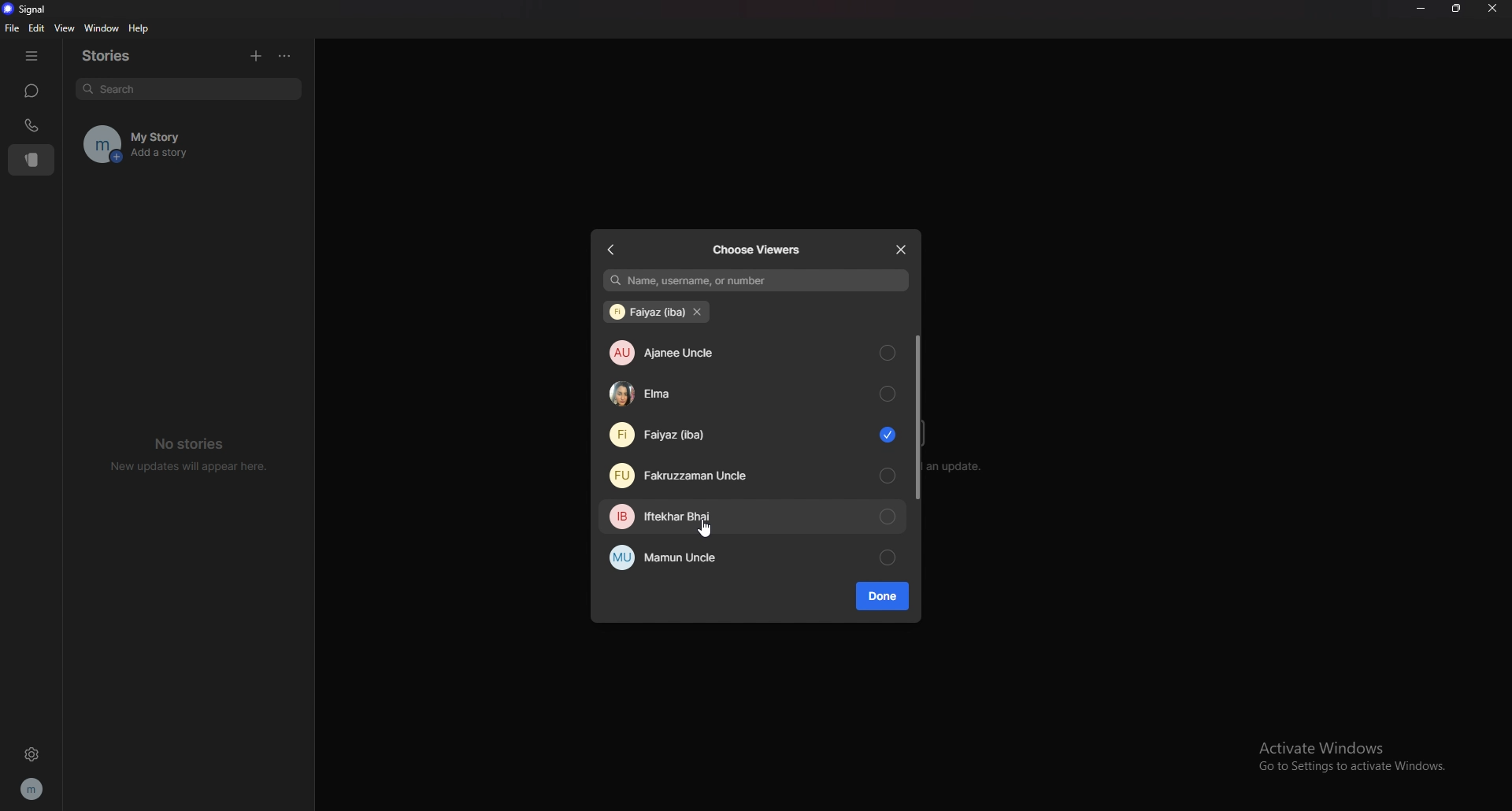  I want to click on resize, so click(1456, 9).